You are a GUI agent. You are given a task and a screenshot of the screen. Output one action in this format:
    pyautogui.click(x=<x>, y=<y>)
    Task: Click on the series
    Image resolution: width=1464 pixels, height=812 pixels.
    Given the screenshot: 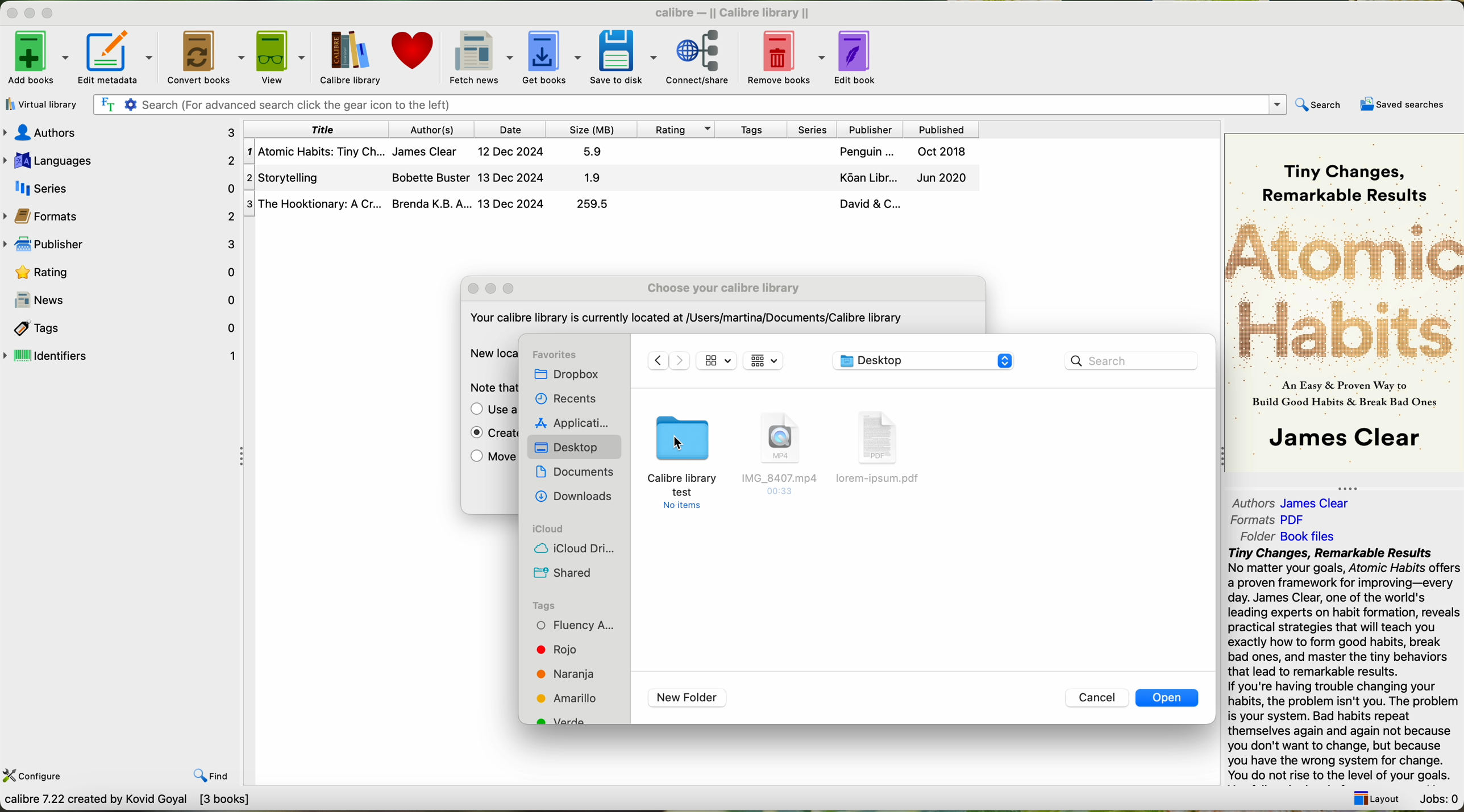 What is the action you would take?
    pyautogui.click(x=120, y=186)
    